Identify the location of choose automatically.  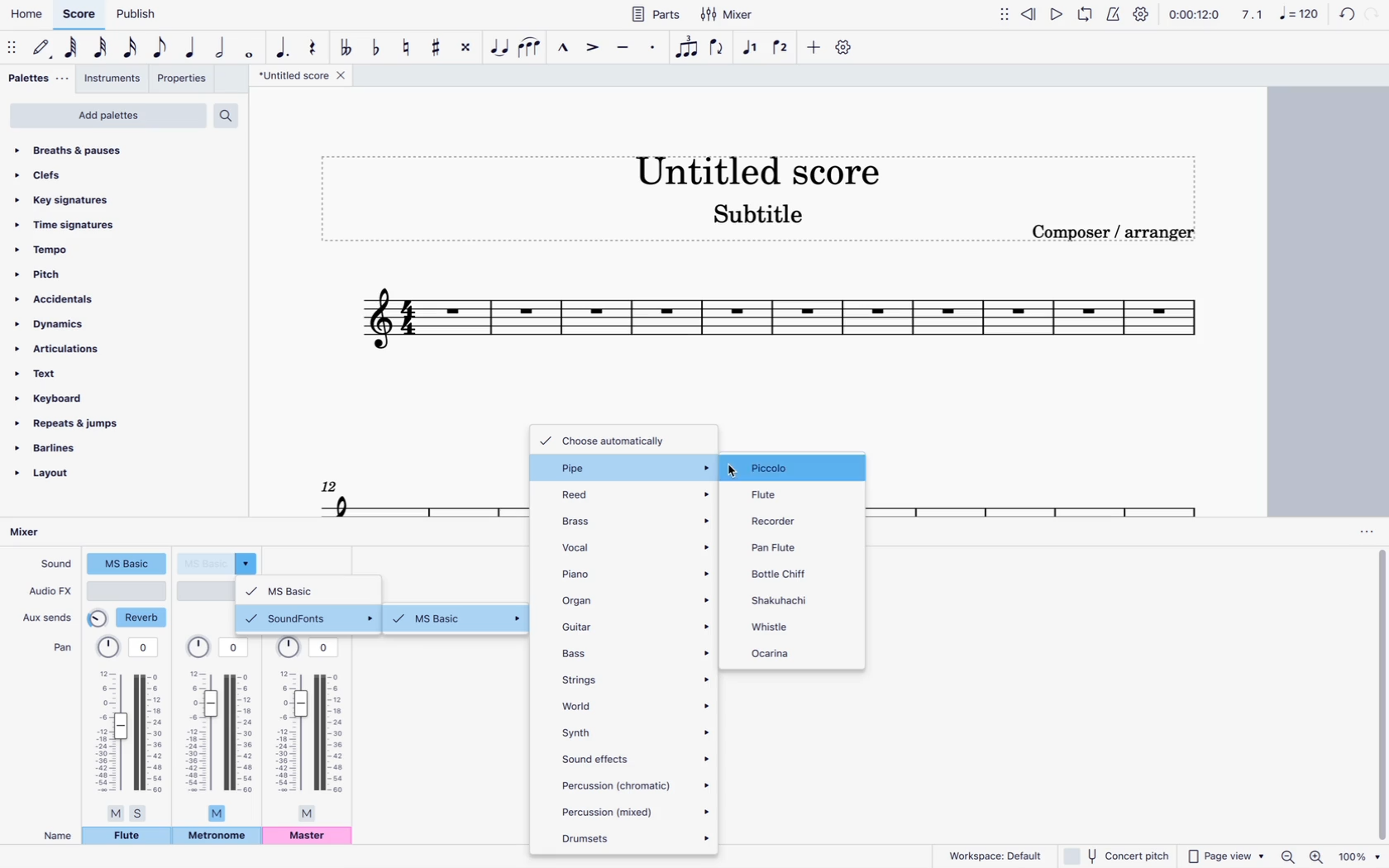
(618, 439).